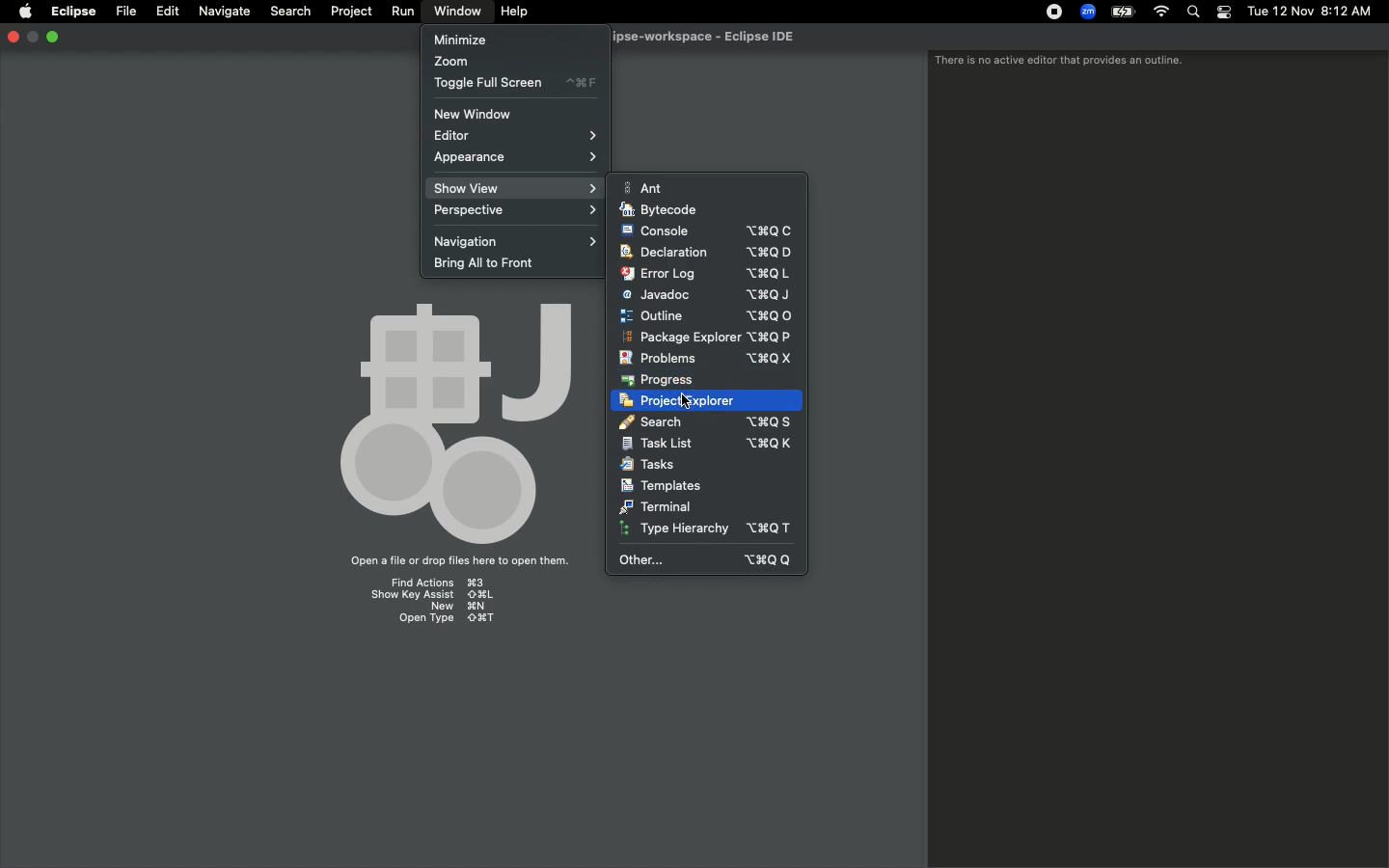 The width and height of the screenshot is (1389, 868). What do you see at coordinates (517, 160) in the screenshot?
I see `Appearance` at bounding box center [517, 160].